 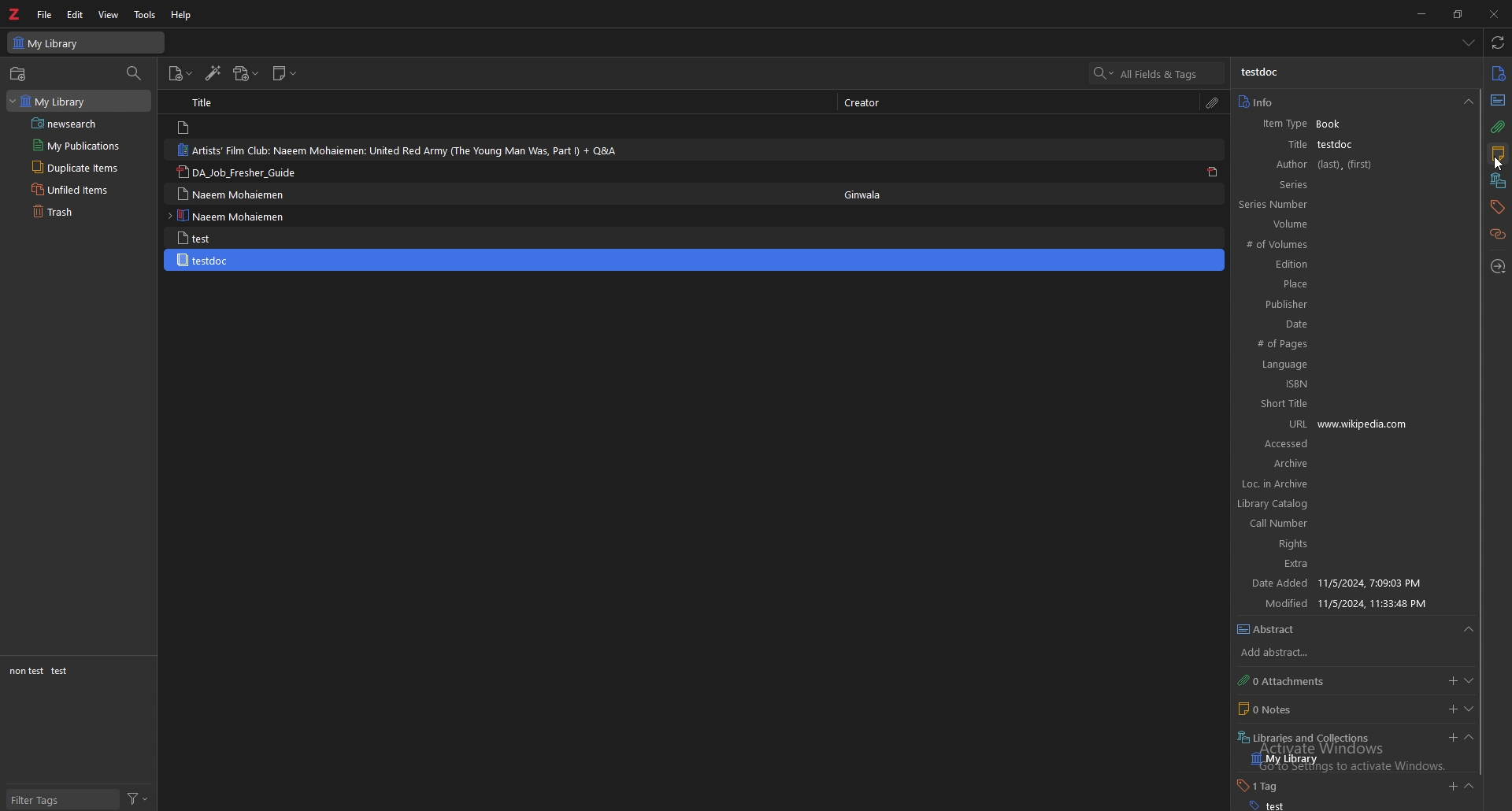 What do you see at coordinates (183, 15) in the screenshot?
I see `help` at bounding box center [183, 15].